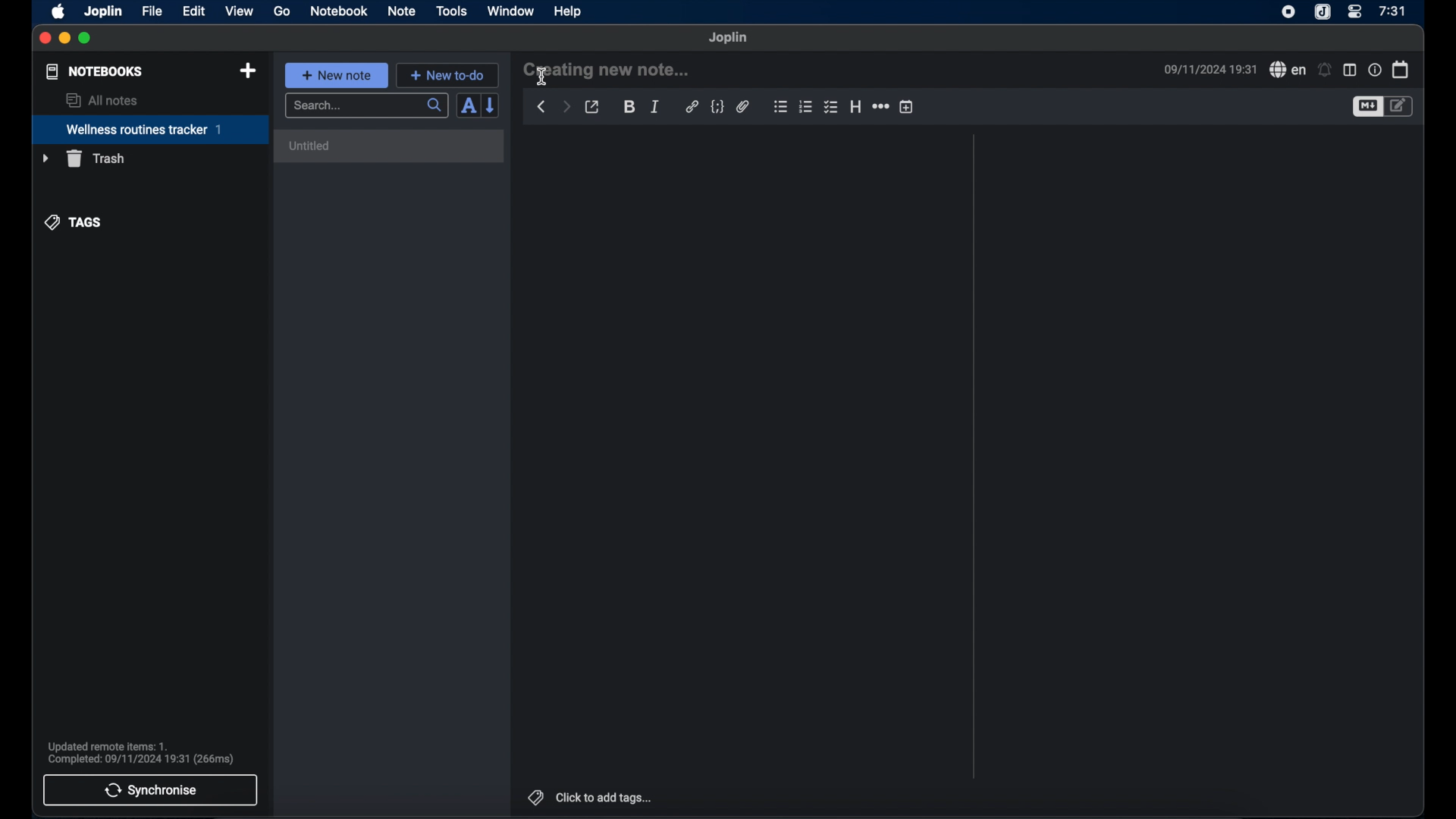 Image resolution: width=1456 pixels, height=819 pixels. Describe the element at coordinates (402, 12) in the screenshot. I see `note` at that location.